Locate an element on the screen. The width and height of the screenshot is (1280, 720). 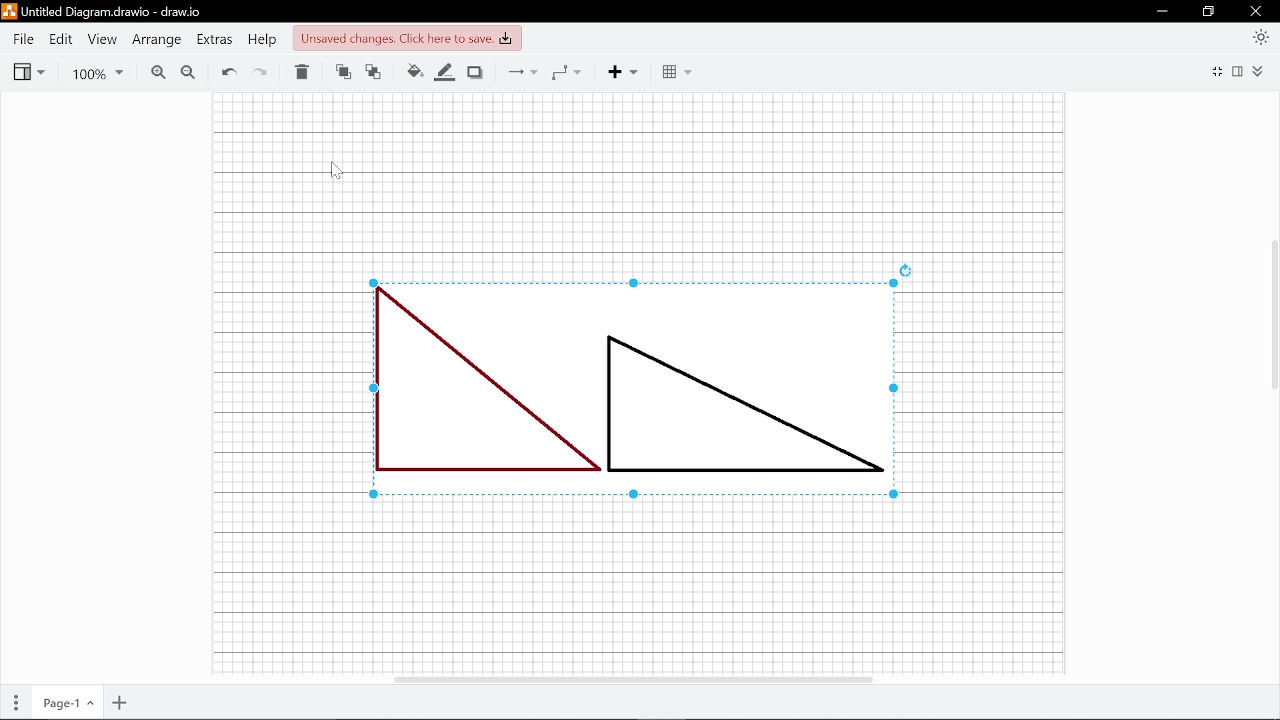
Undo is located at coordinates (228, 70).